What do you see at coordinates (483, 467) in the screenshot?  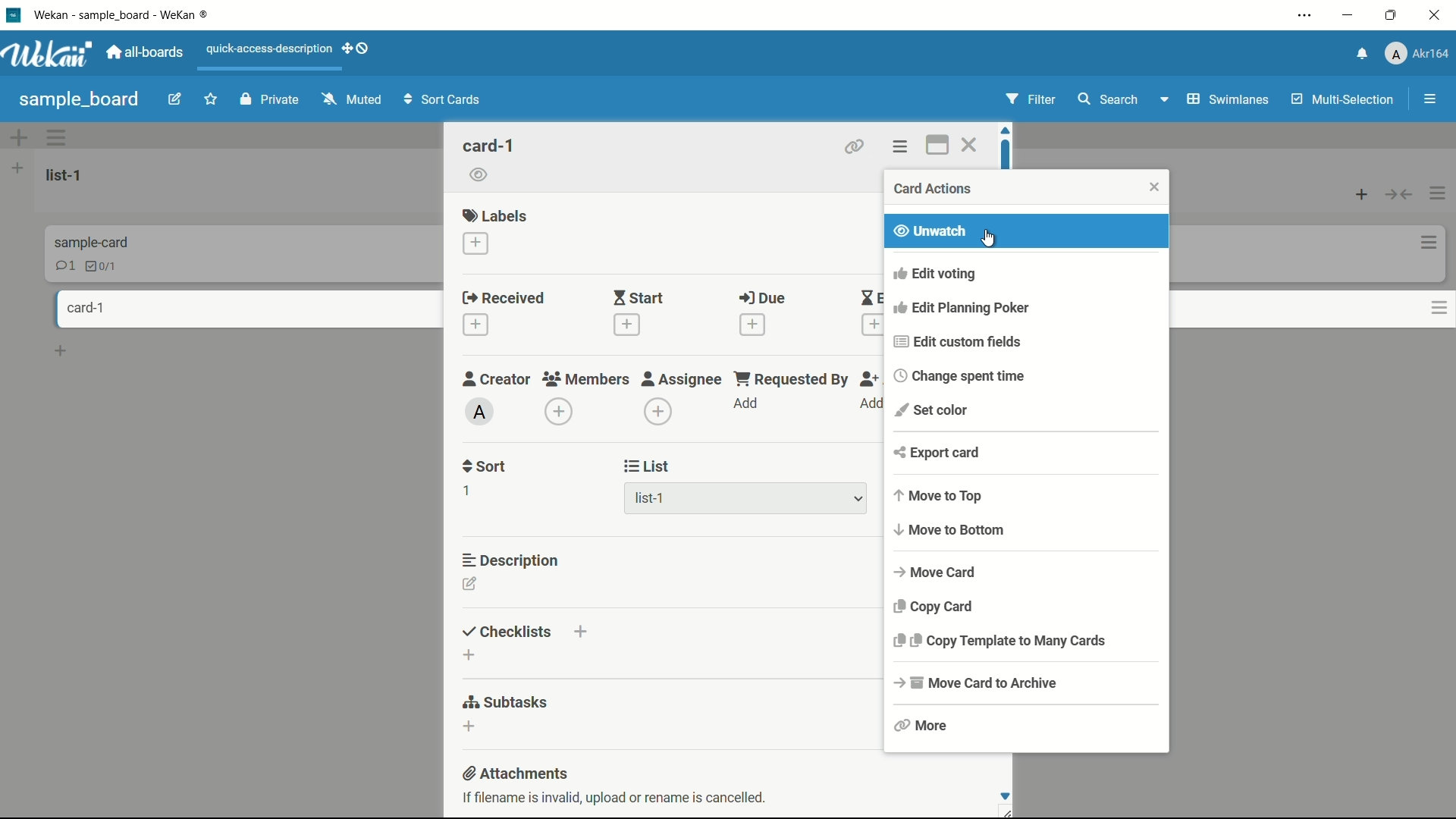 I see `sort` at bounding box center [483, 467].